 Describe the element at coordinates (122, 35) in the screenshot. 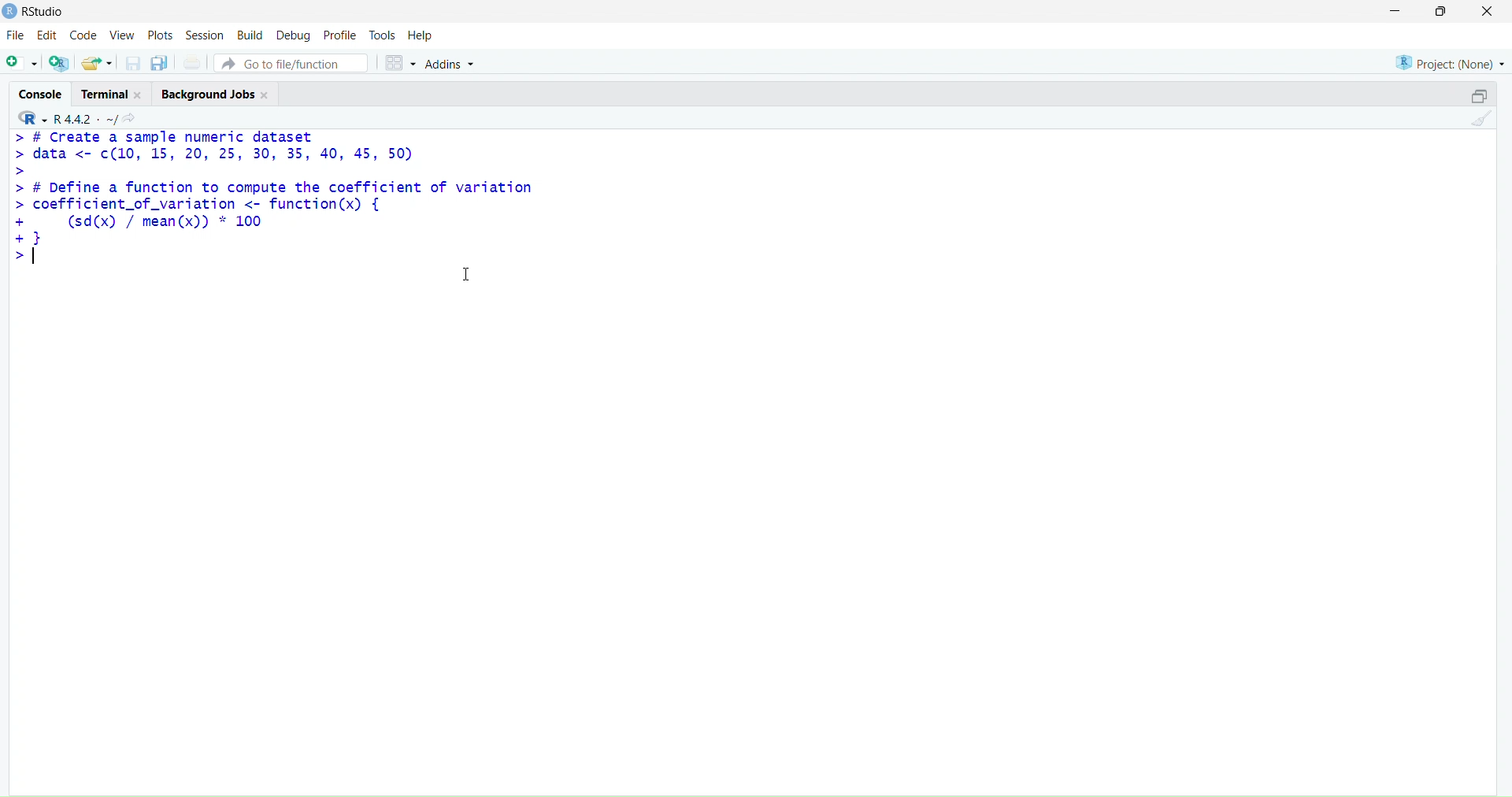

I see `view` at that location.